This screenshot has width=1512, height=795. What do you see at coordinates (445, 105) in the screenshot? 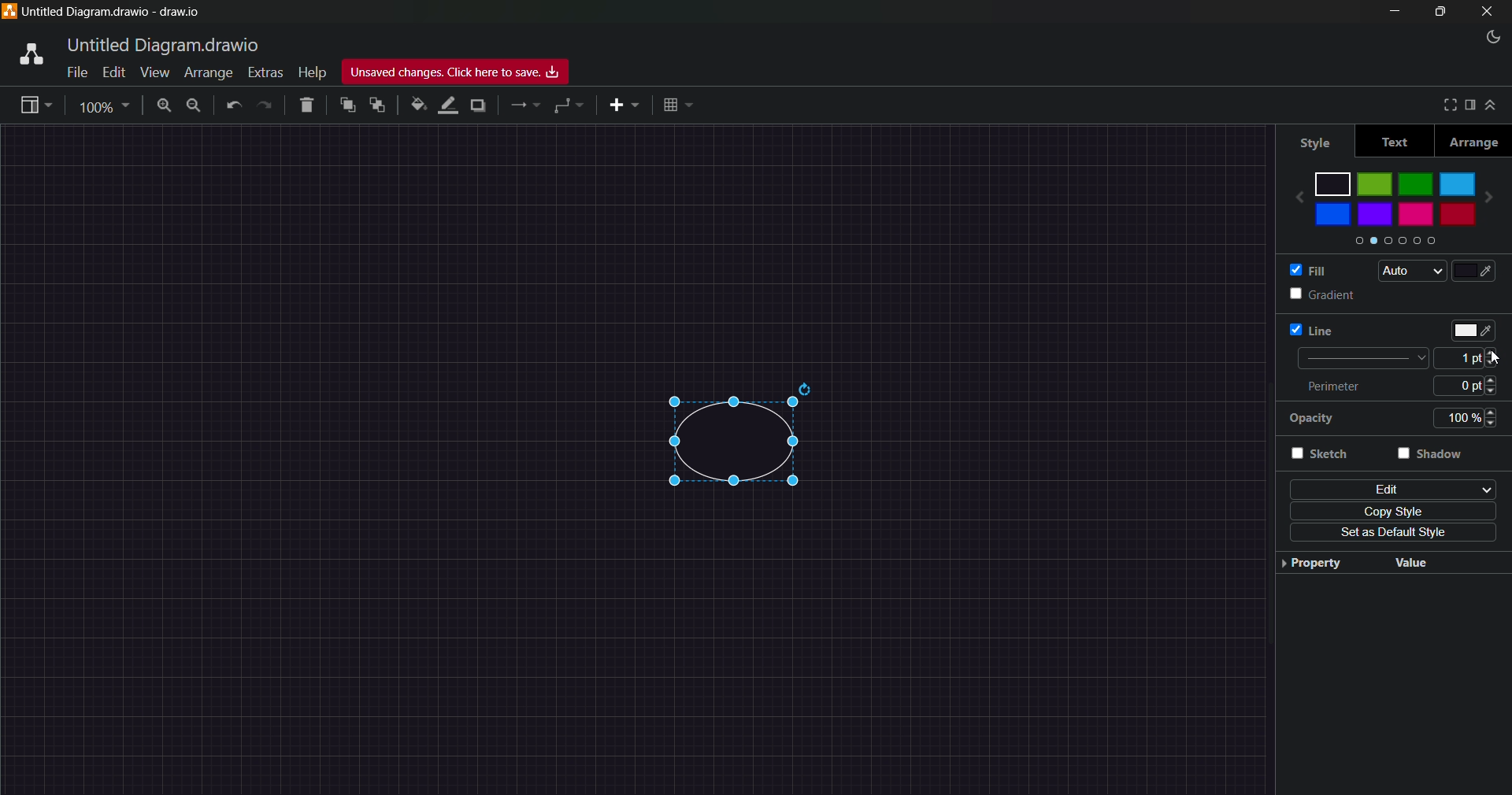
I see `line color` at bounding box center [445, 105].